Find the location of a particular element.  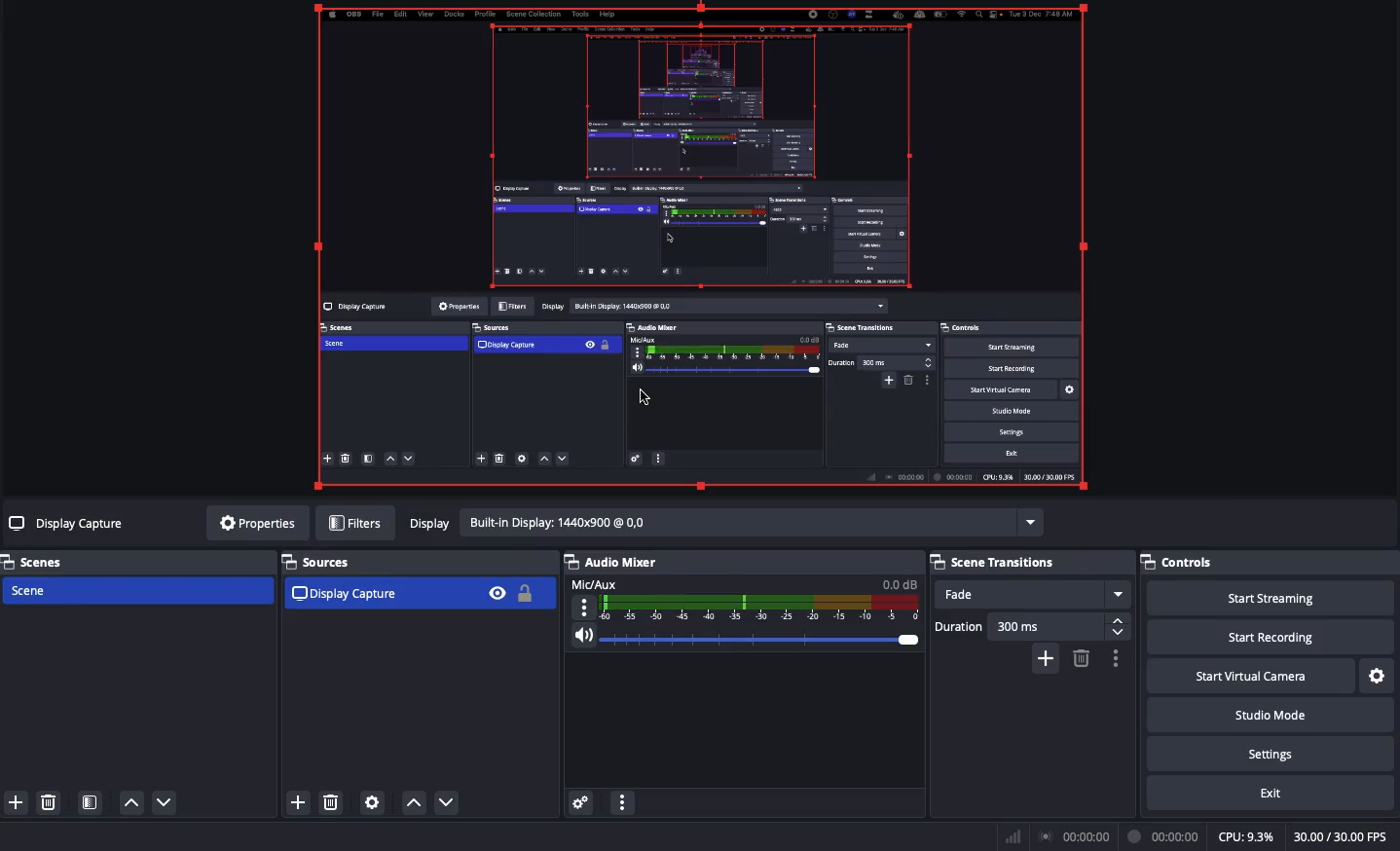

Transition properties is located at coordinates (1115, 658).